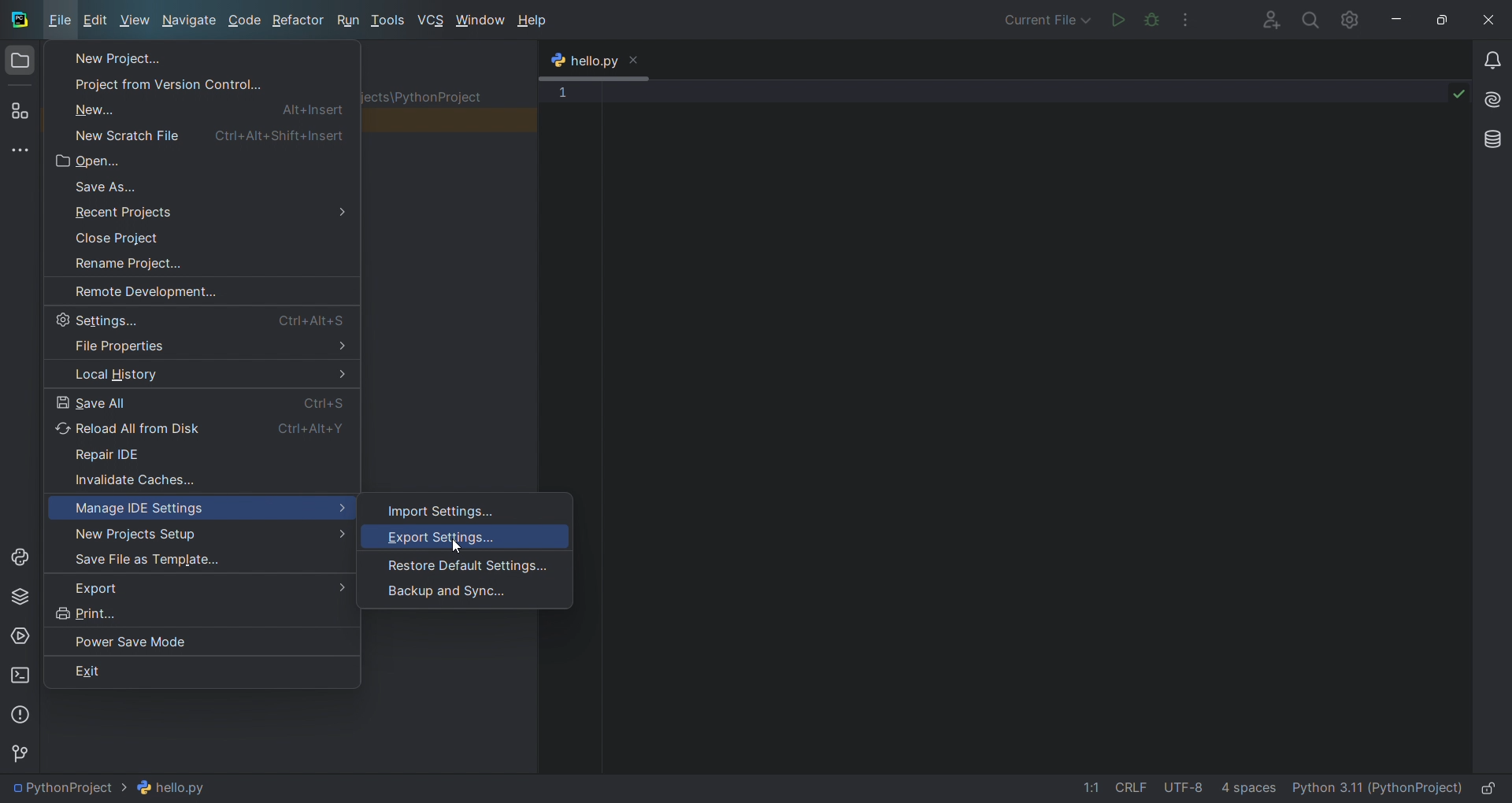 Image resolution: width=1512 pixels, height=803 pixels. Describe the element at coordinates (205, 643) in the screenshot. I see `power save mode` at that location.